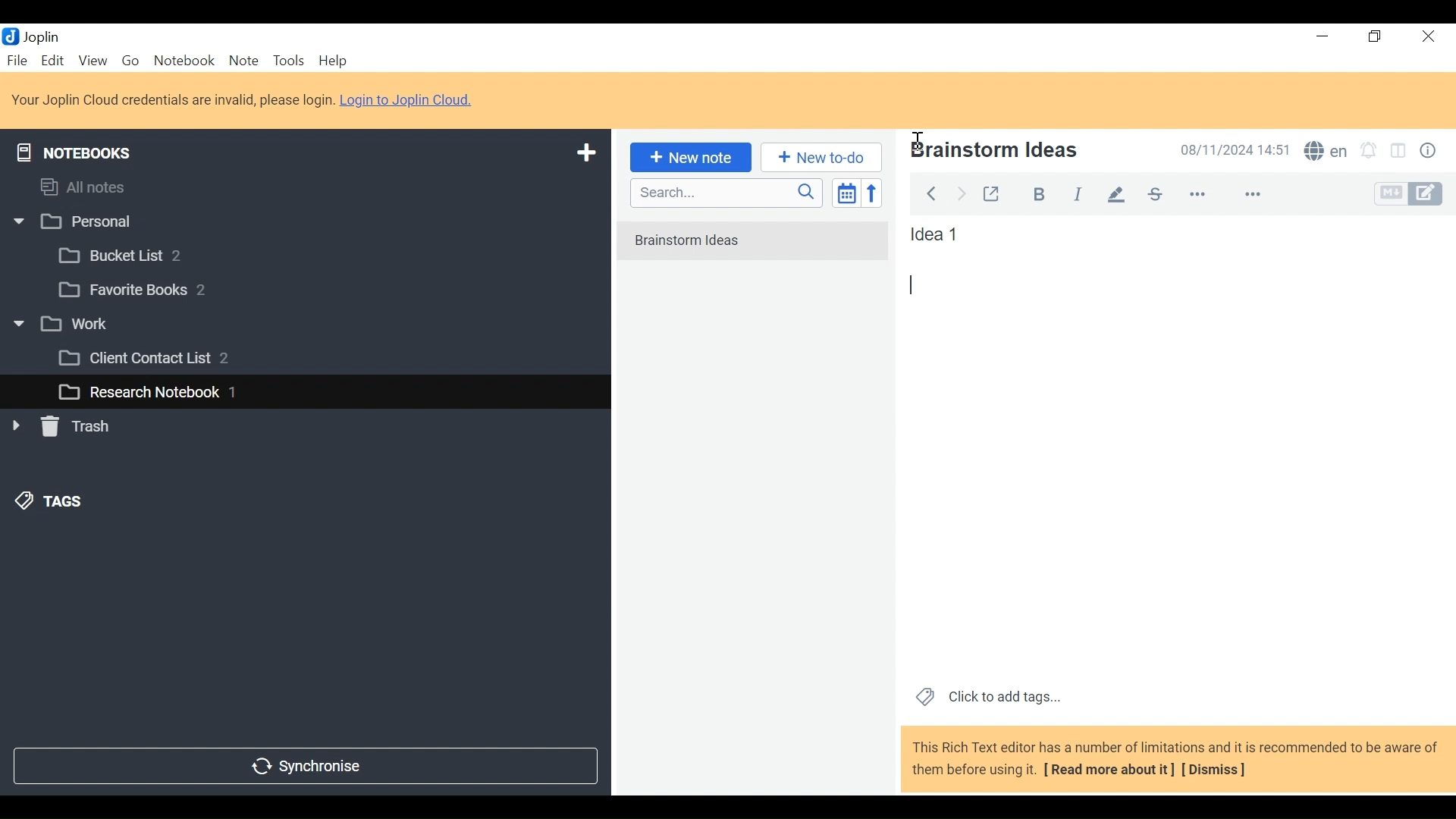 The width and height of the screenshot is (1456, 819). What do you see at coordinates (39, 36) in the screenshot?
I see `Joplin Desktop Icon` at bounding box center [39, 36].